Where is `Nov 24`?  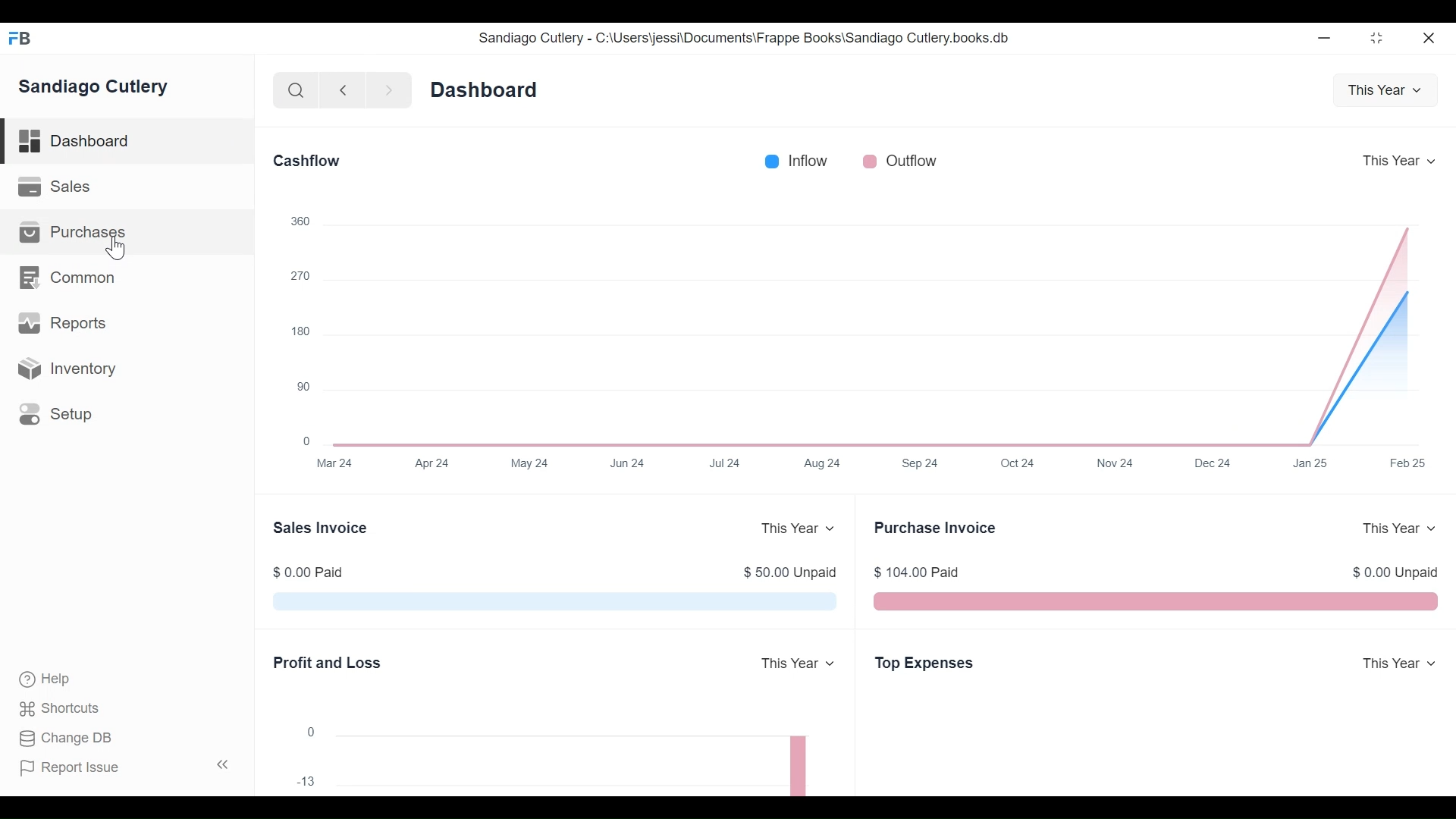
Nov 24 is located at coordinates (1115, 463).